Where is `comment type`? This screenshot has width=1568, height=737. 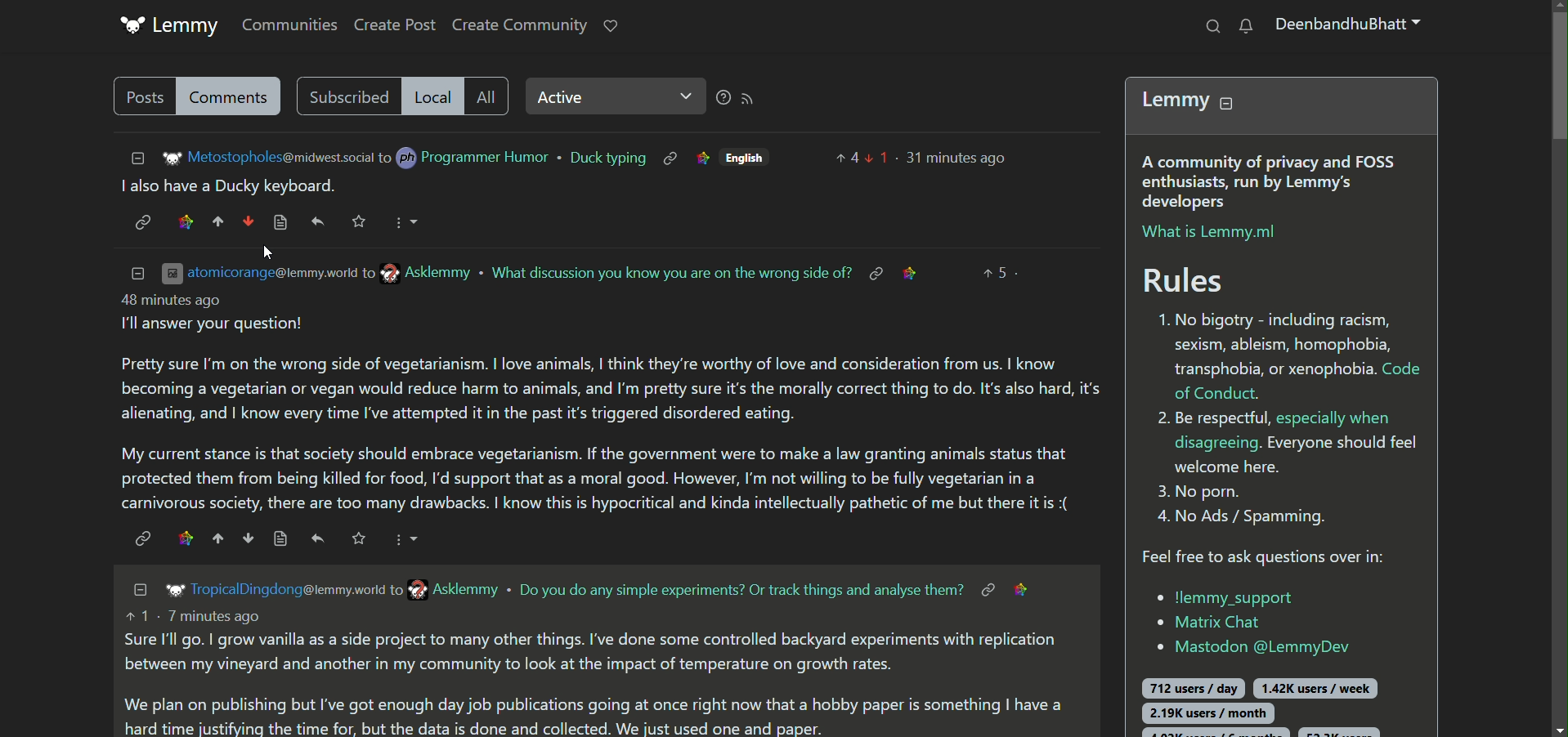
comment type is located at coordinates (431, 96).